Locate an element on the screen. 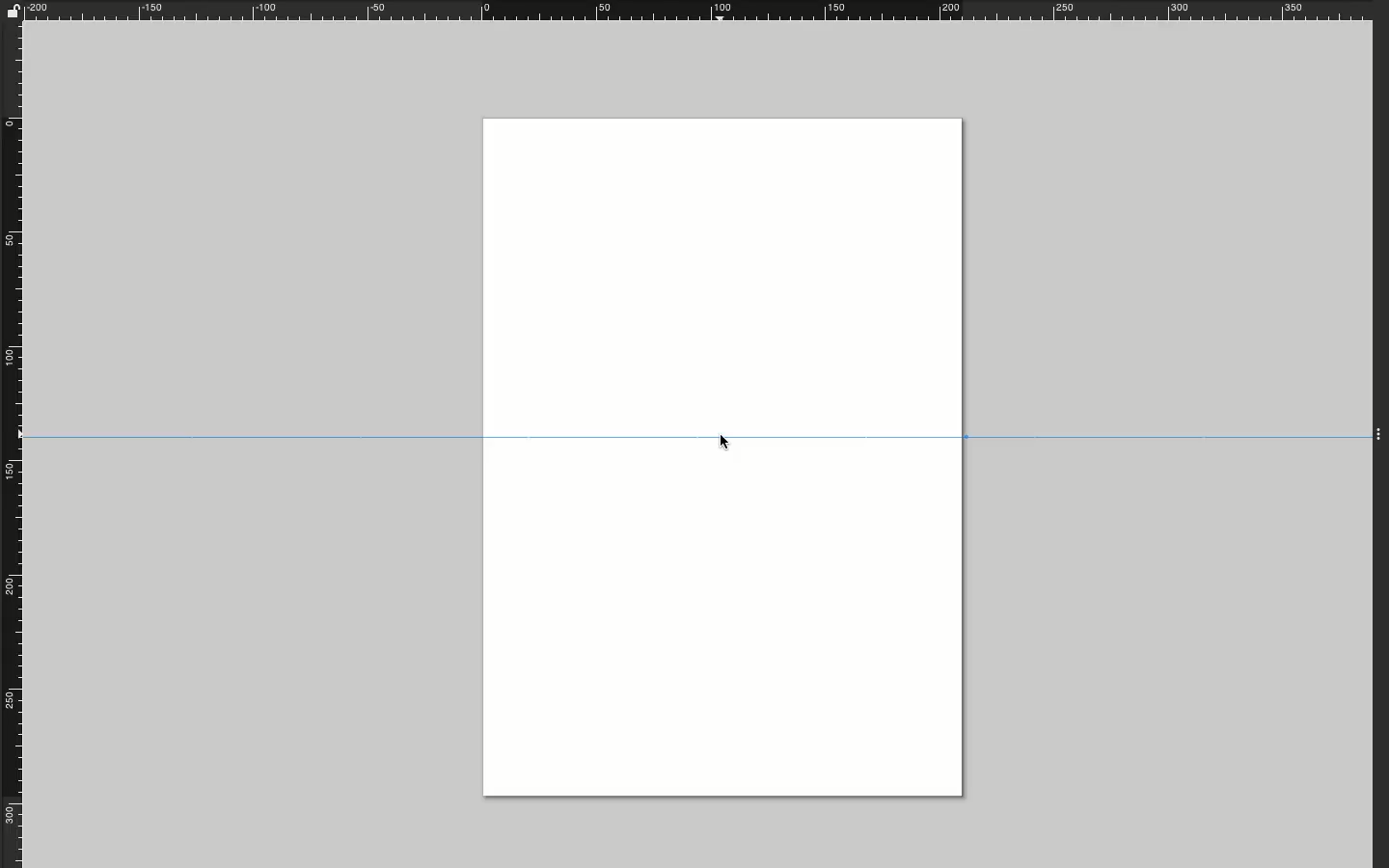 The width and height of the screenshot is (1389, 868). Cursor is located at coordinates (729, 444).